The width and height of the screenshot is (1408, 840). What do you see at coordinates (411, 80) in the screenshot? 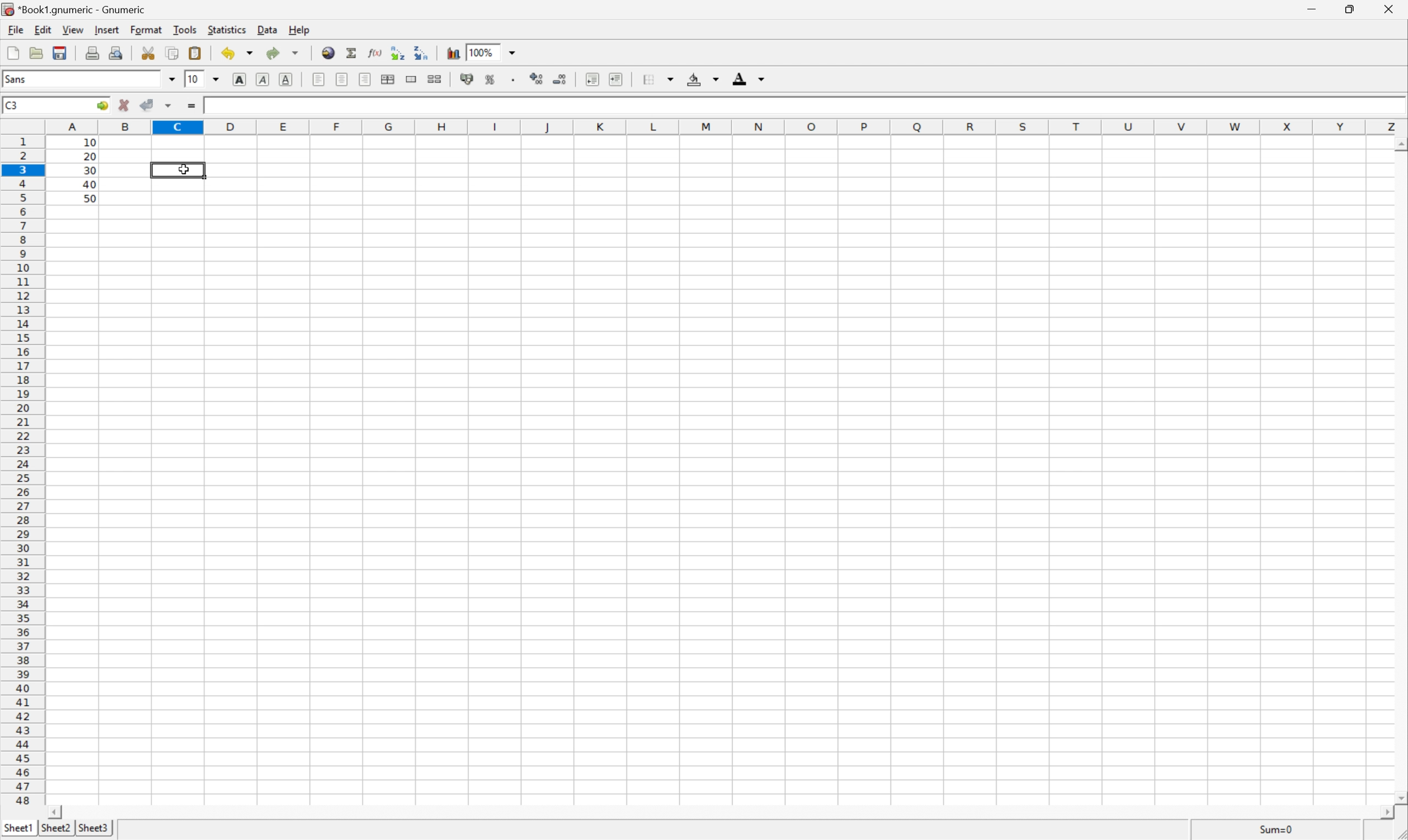
I see `Merge a range of cells` at bounding box center [411, 80].